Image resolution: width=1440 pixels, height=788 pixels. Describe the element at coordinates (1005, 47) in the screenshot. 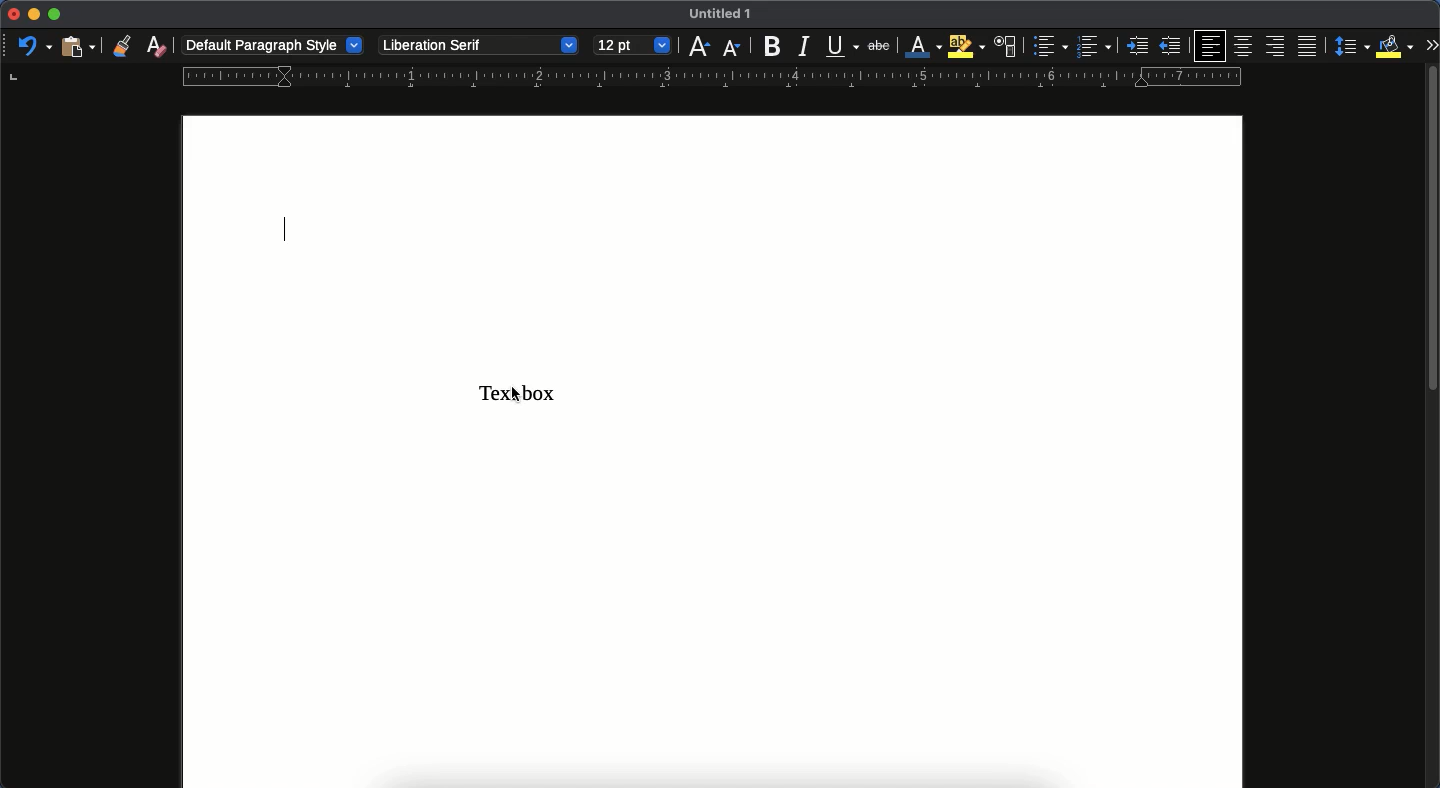

I see `character` at that location.